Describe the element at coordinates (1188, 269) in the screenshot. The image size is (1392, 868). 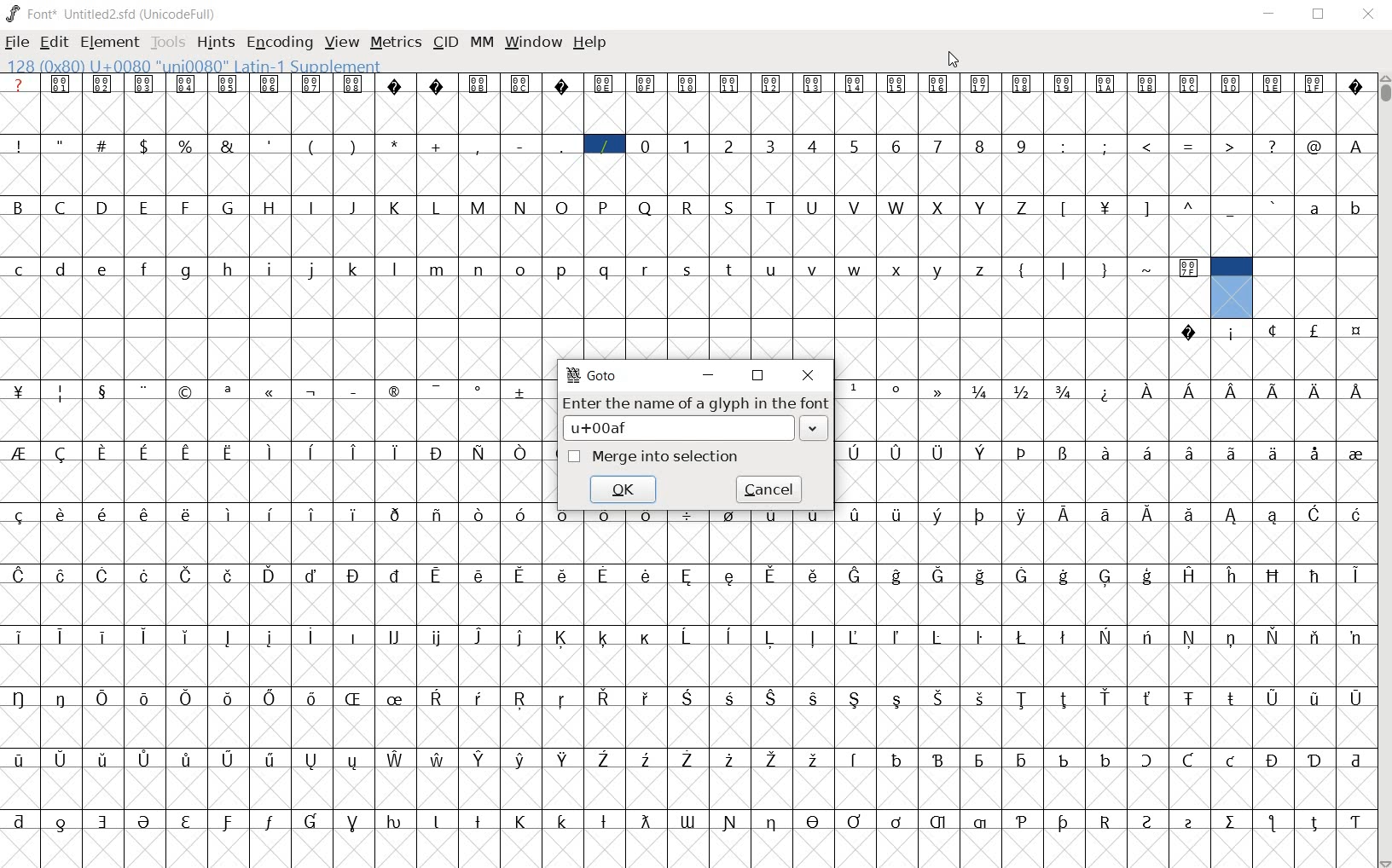
I see `Symbol` at that location.